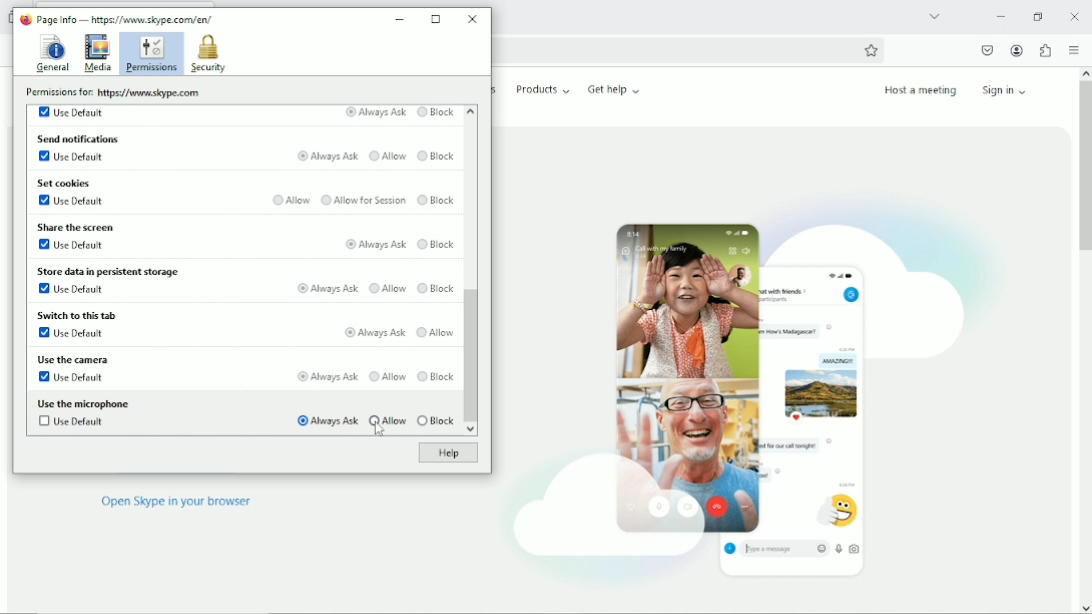 Image resolution: width=1092 pixels, height=614 pixels. What do you see at coordinates (73, 201) in the screenshot?
I see `Use default` at bounding box center [73, 201].